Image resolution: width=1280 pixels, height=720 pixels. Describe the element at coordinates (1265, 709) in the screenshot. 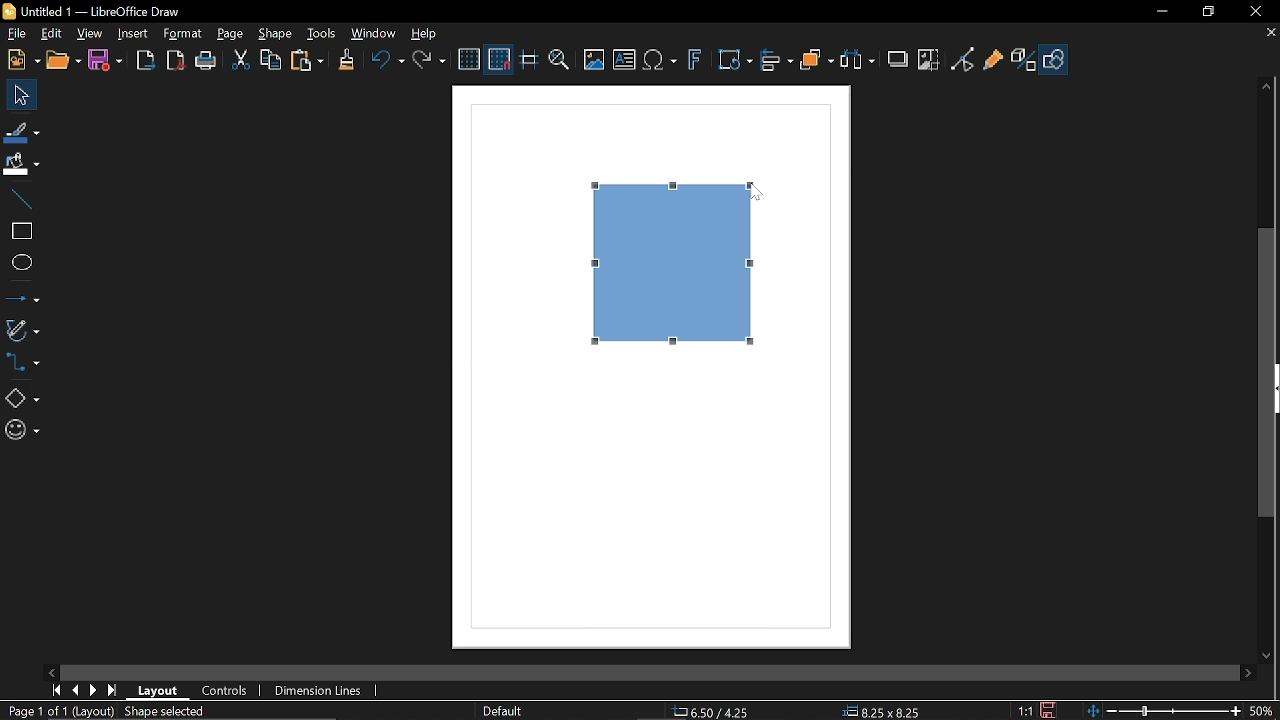

I see `50% (current zoom level)` at that location.